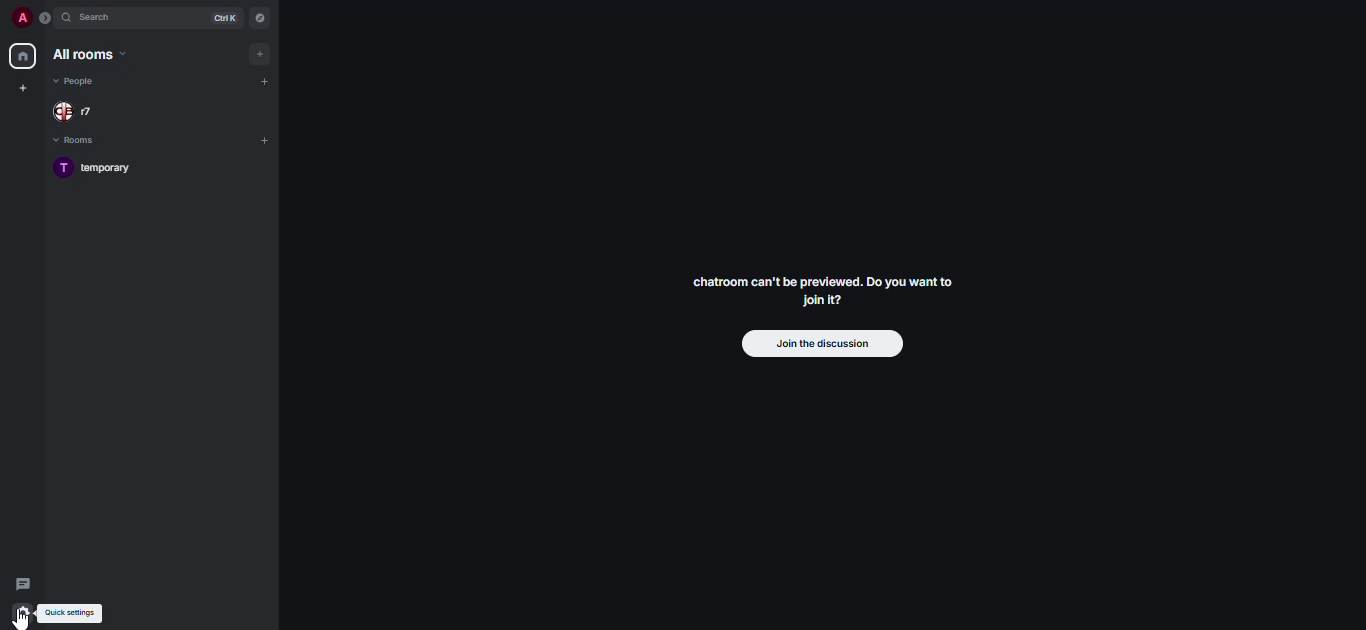 This screenshot has height=630, width=1366. What do you see at coordinates (266, 81) in the screenshot?
I see `add` at bounding box center [266, 81].